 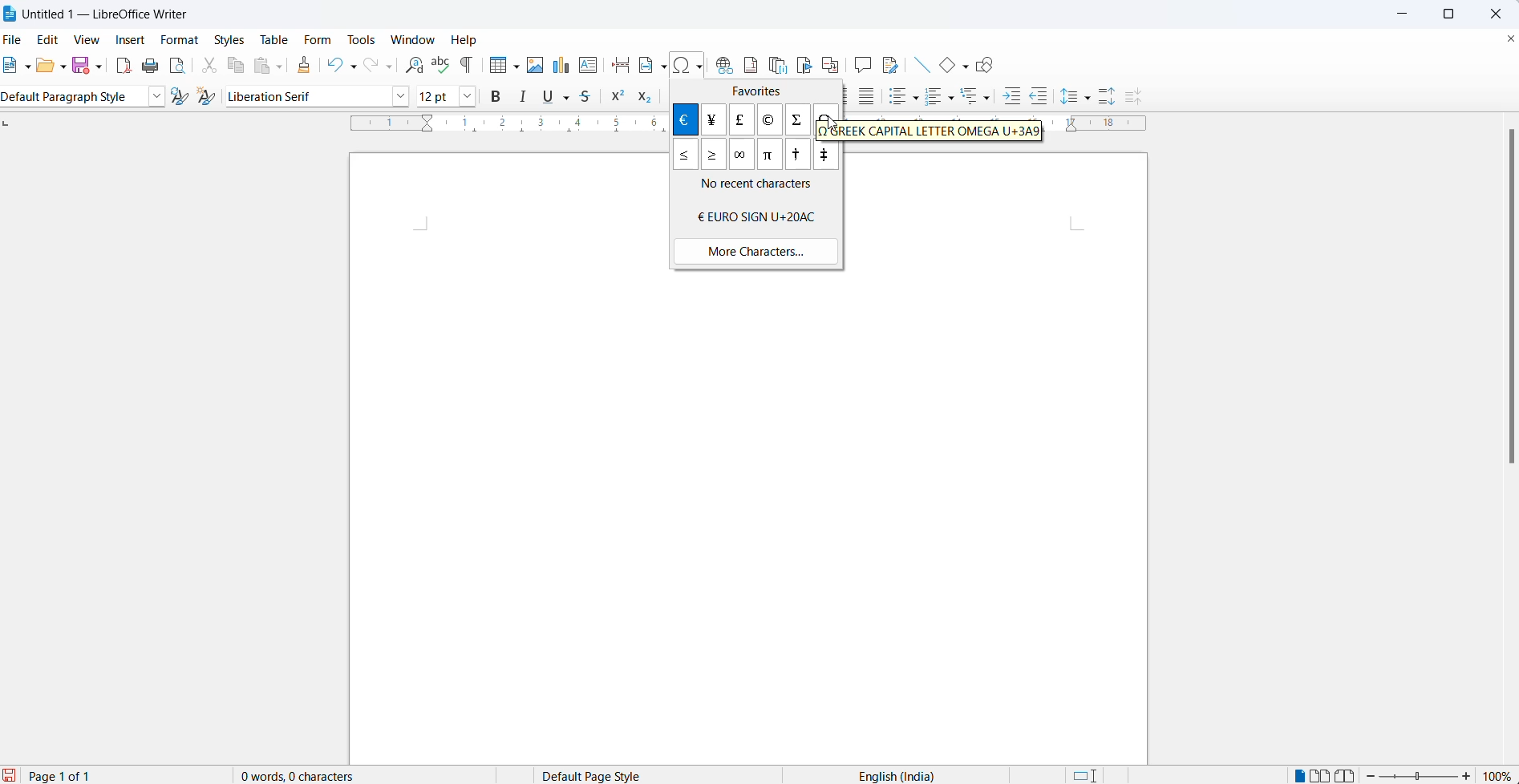 I want to click on copy, so click(x=233, y=68).